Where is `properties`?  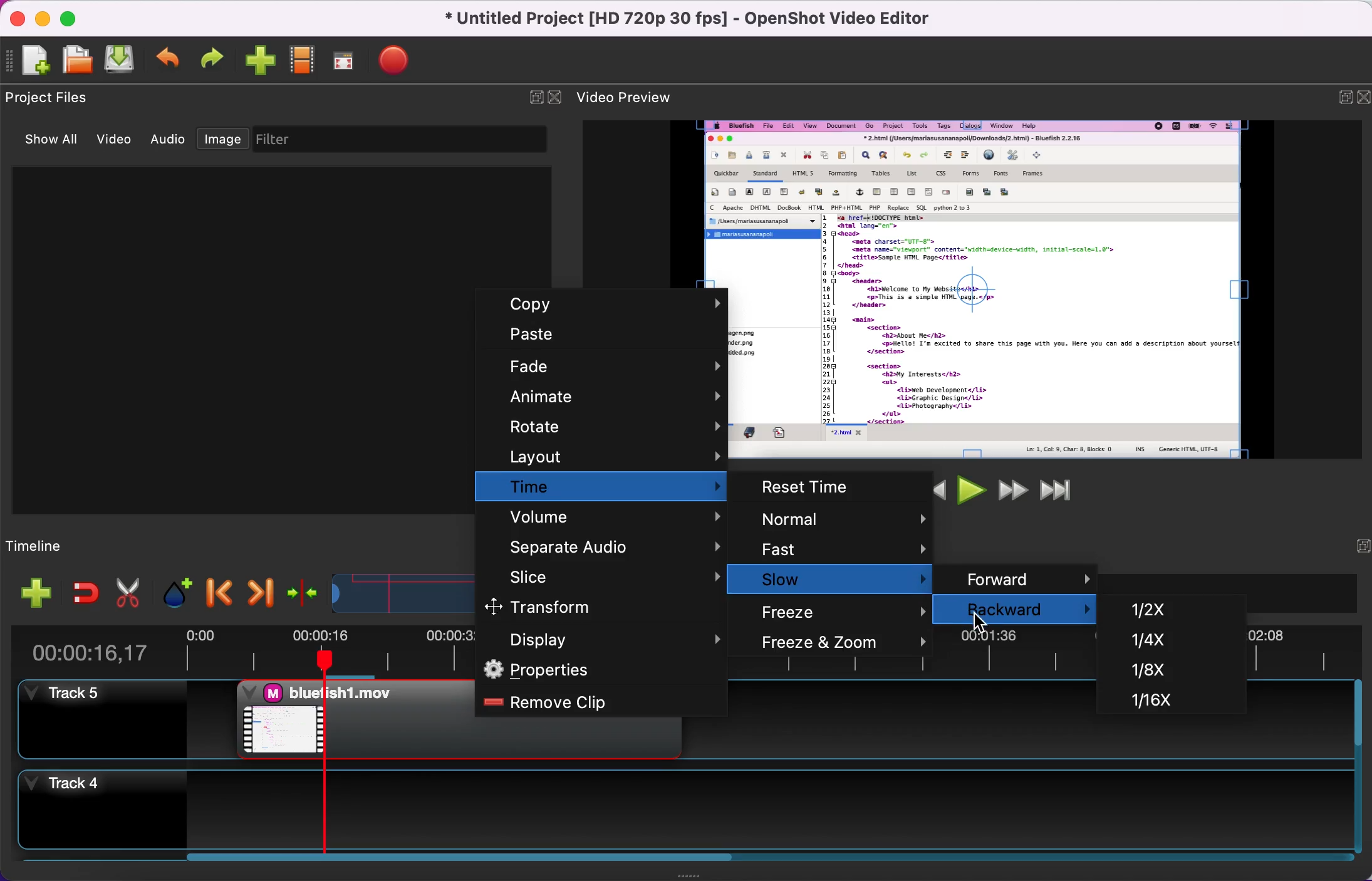
properties is located at coordinates (600, 670).